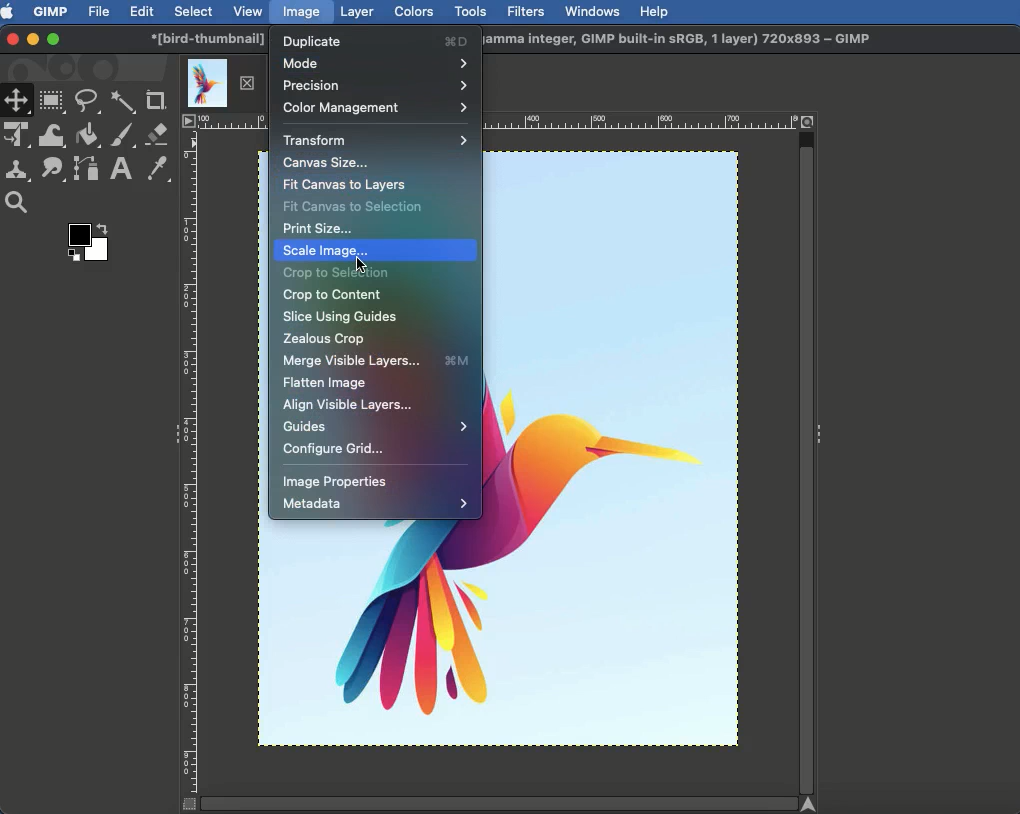  Describe the element at coordinates (375, 429) in the screenshot. I see `Guides` at that location.